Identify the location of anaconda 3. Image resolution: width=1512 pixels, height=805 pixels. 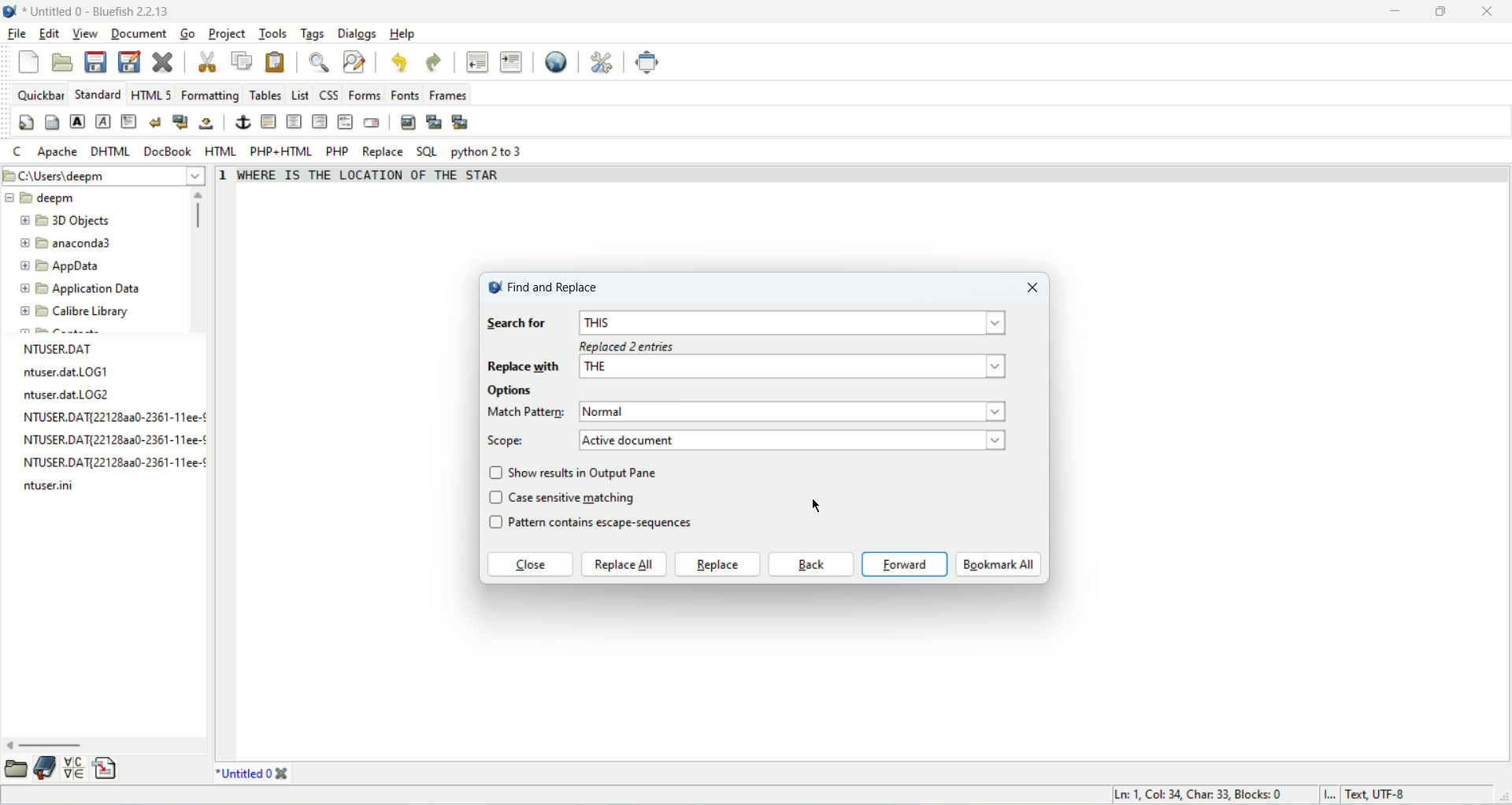
(67, 244).